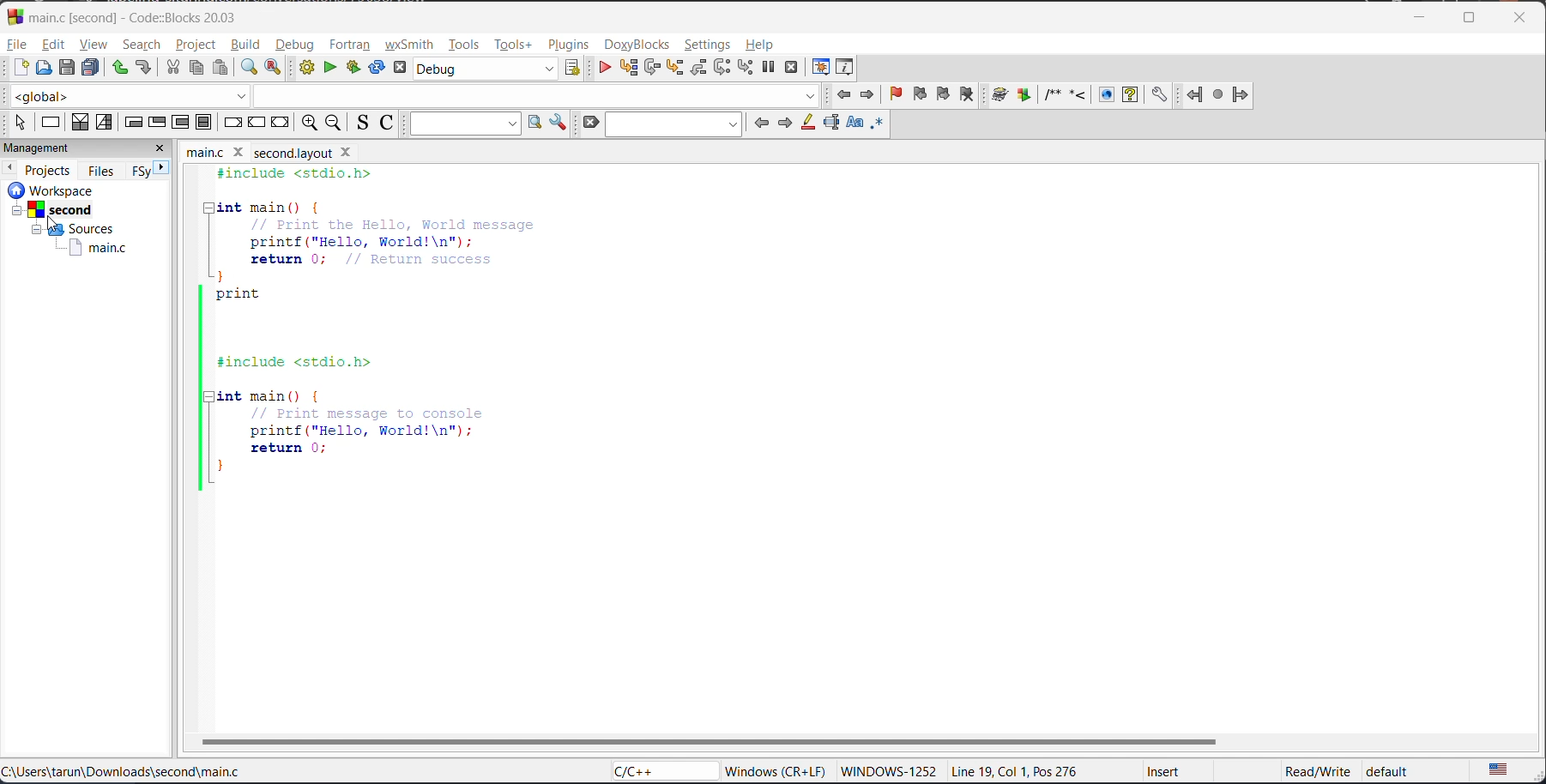 The image size is (1546, 784). Describe the element at coordinates (413, 45) in the screenshot. I see `wxsmith` at that location.